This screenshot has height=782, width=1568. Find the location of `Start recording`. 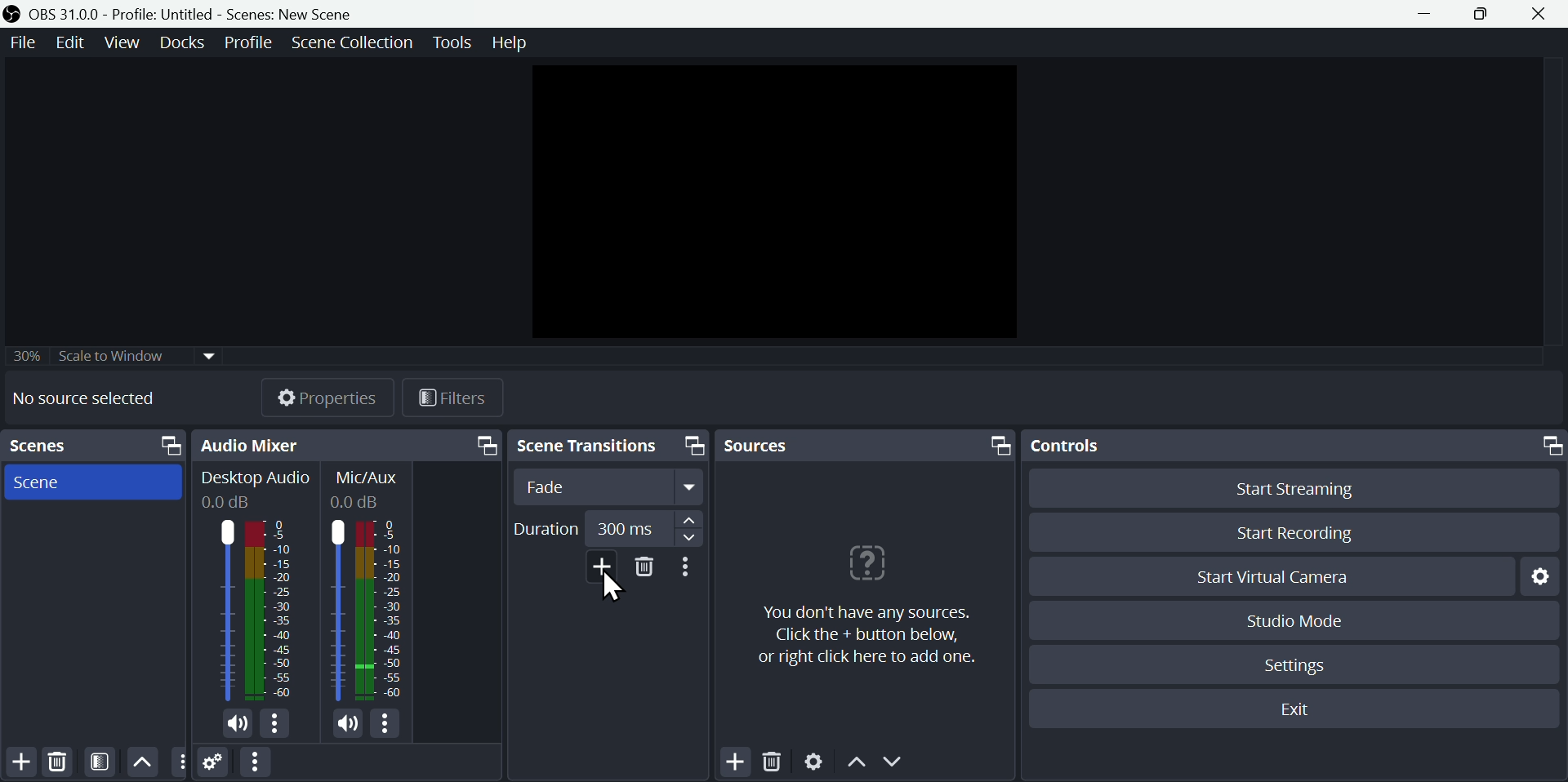

Start recording is located at coordinates (1291, 535).